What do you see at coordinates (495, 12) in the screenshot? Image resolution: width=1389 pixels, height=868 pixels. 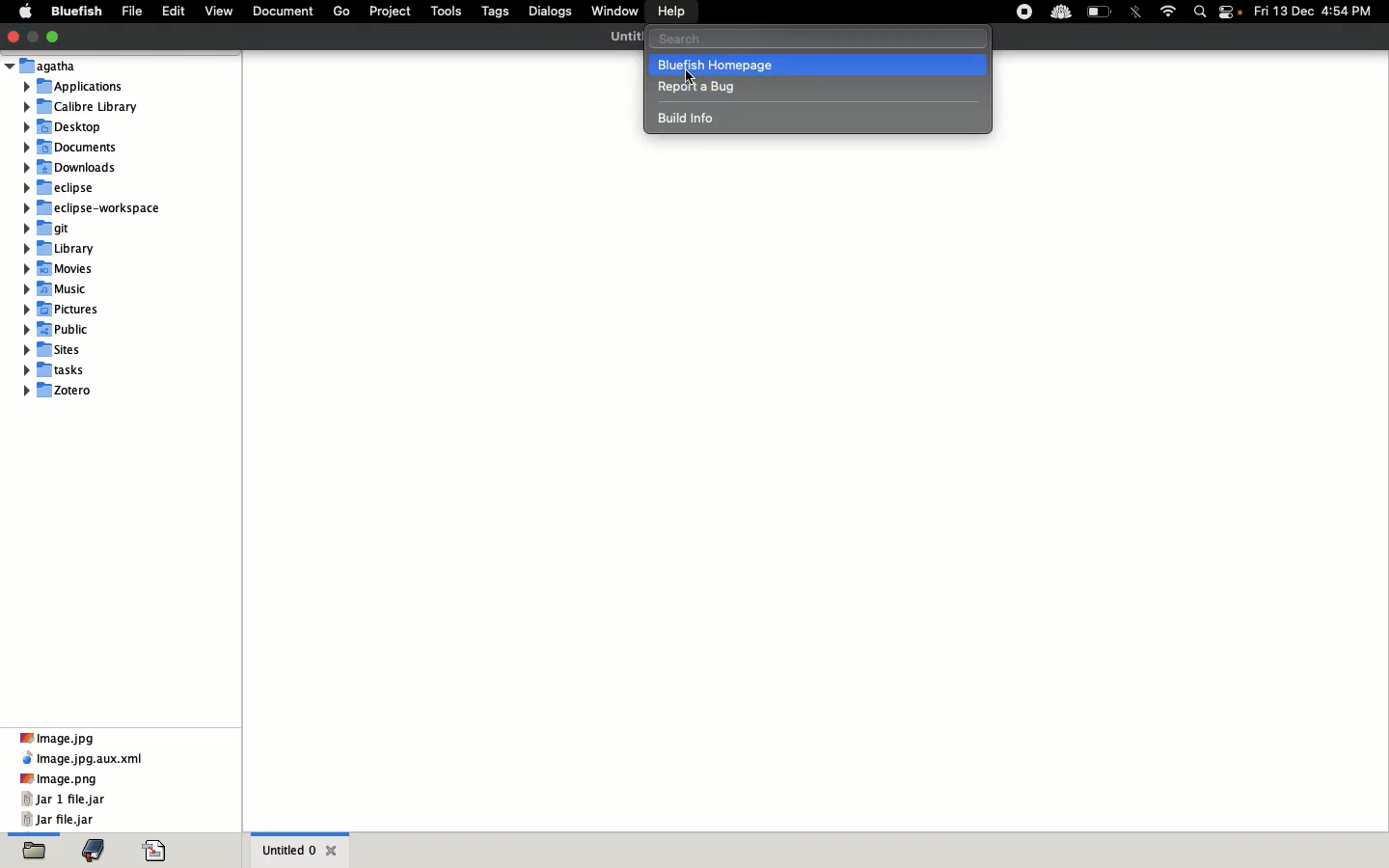 I see `Tags` at bounding box center [495, 12].